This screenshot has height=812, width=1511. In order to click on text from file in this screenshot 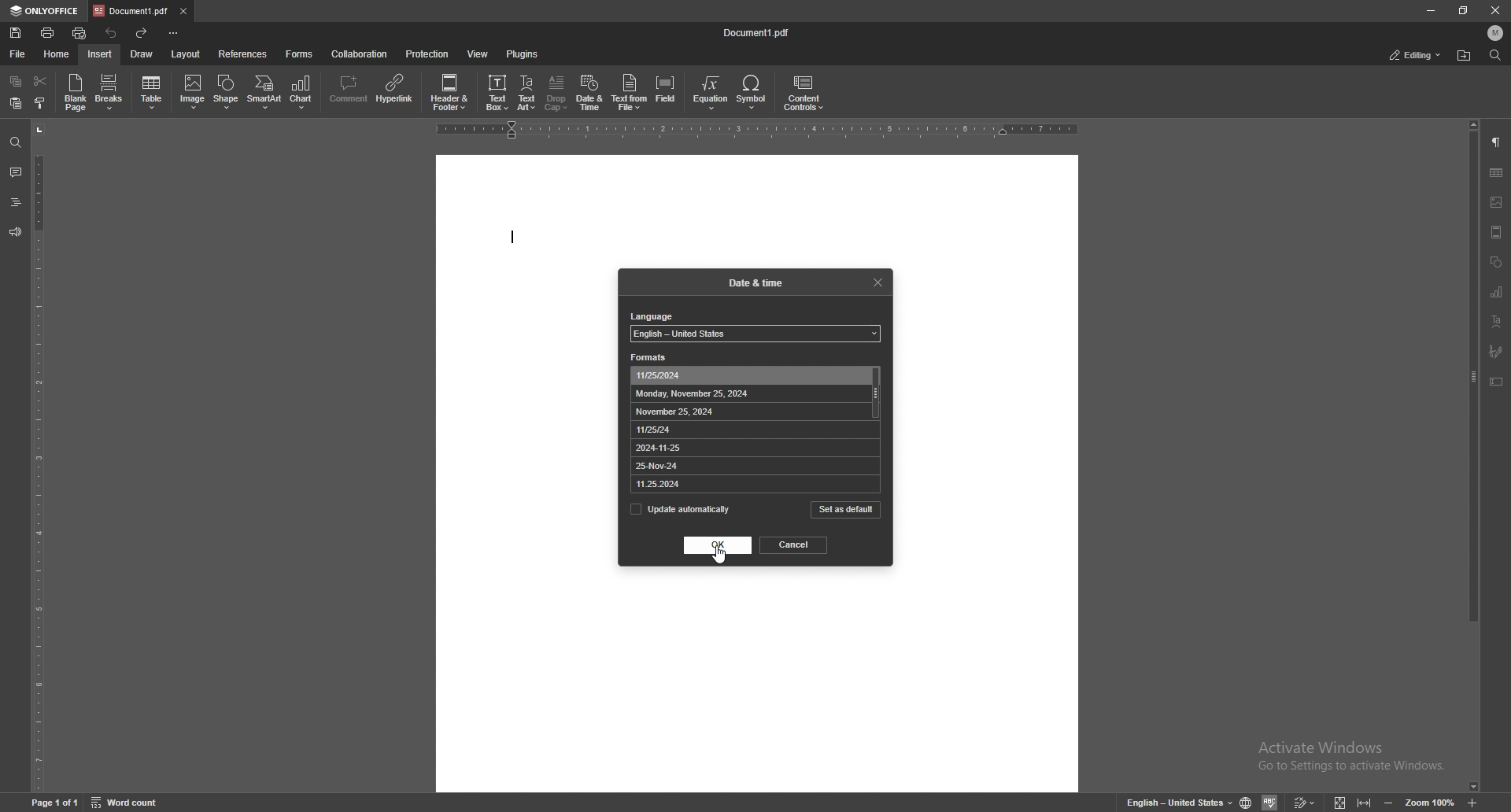, I will do `click(630, 91)`.